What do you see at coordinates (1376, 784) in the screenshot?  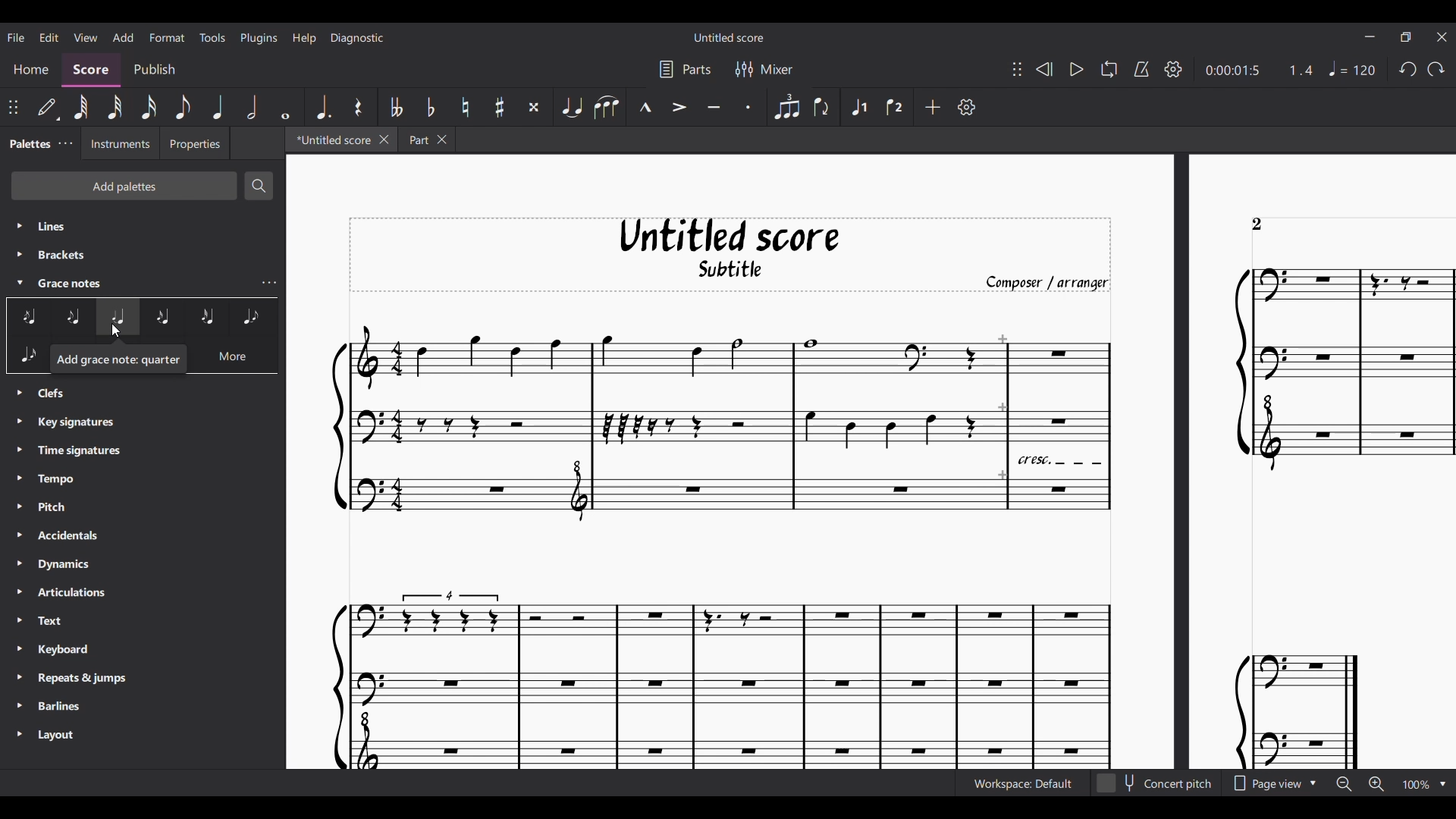 I see `Zoom in` at bounding box center [1376, 784].